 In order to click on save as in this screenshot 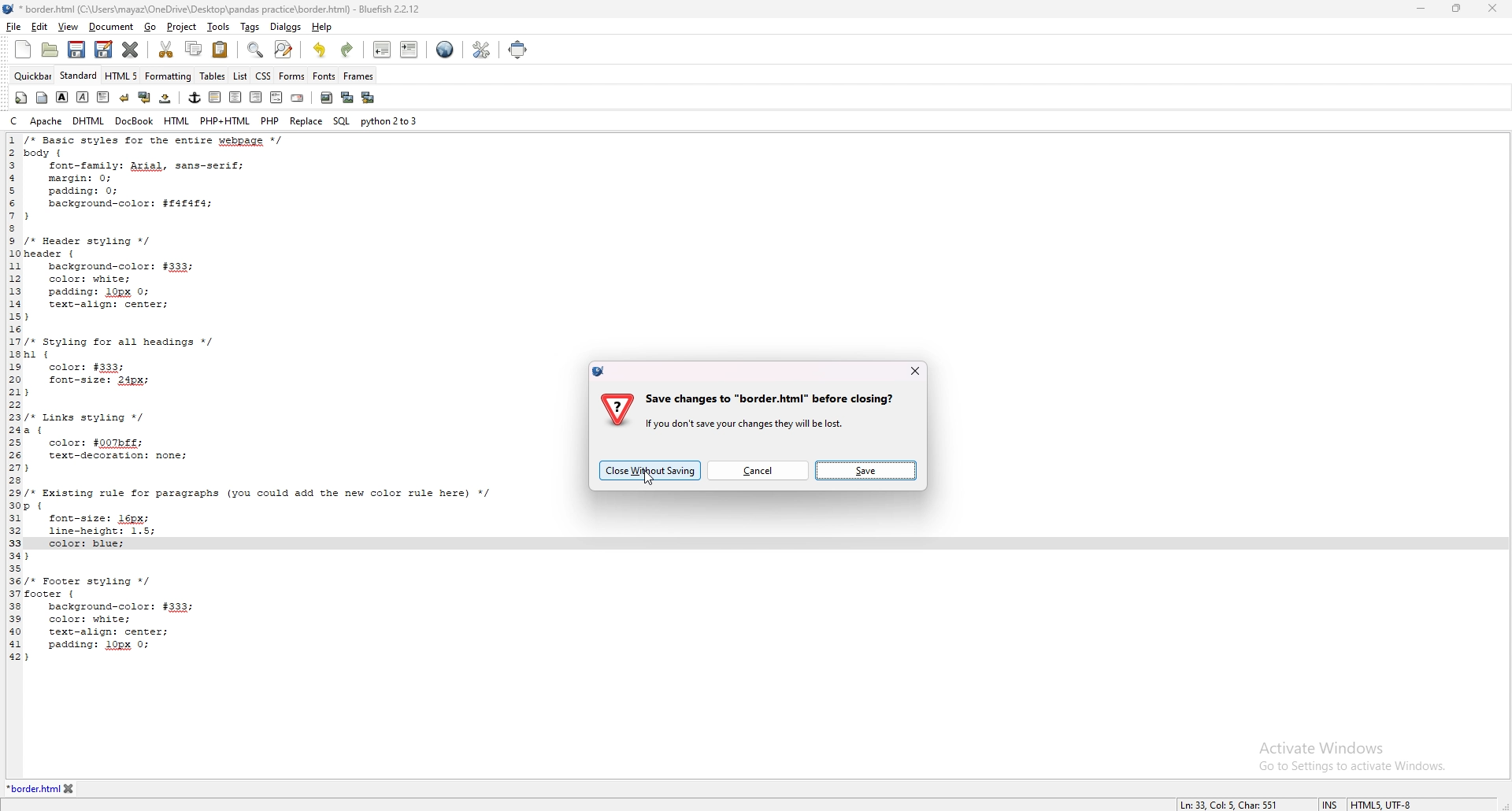, I will do `click(104, 50)`.